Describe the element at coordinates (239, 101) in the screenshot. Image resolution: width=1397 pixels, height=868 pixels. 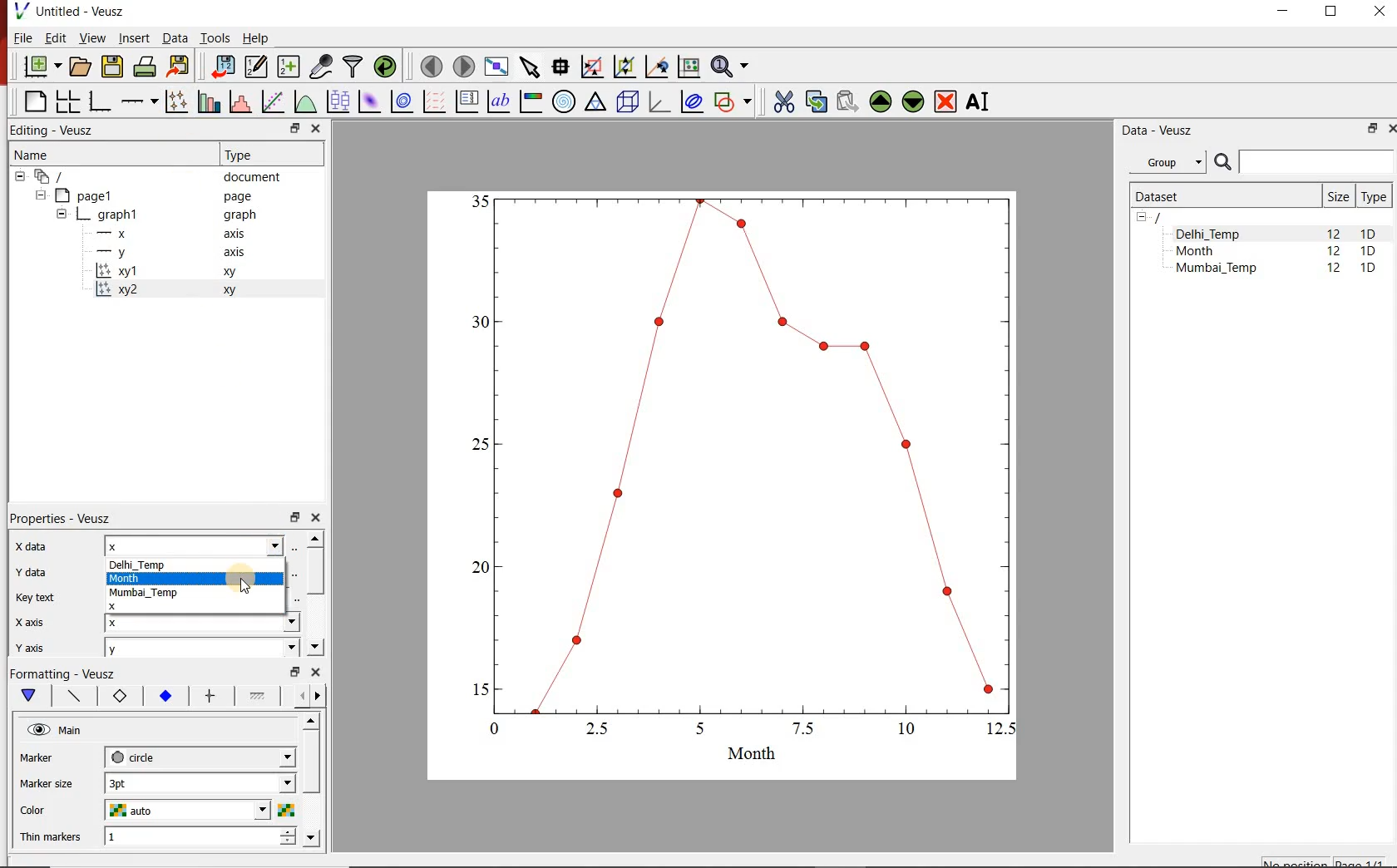
I see `histogram of a dataset` at that location.